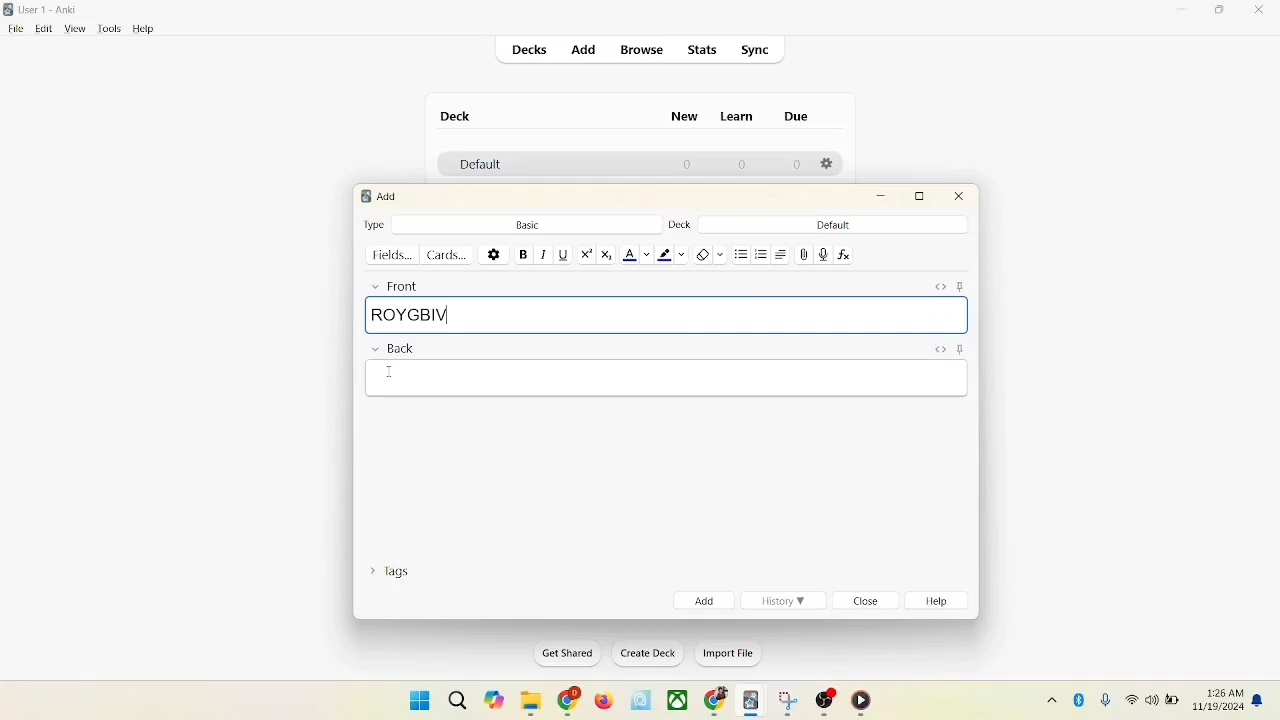  I want to click on battery, so click(1172, 702).